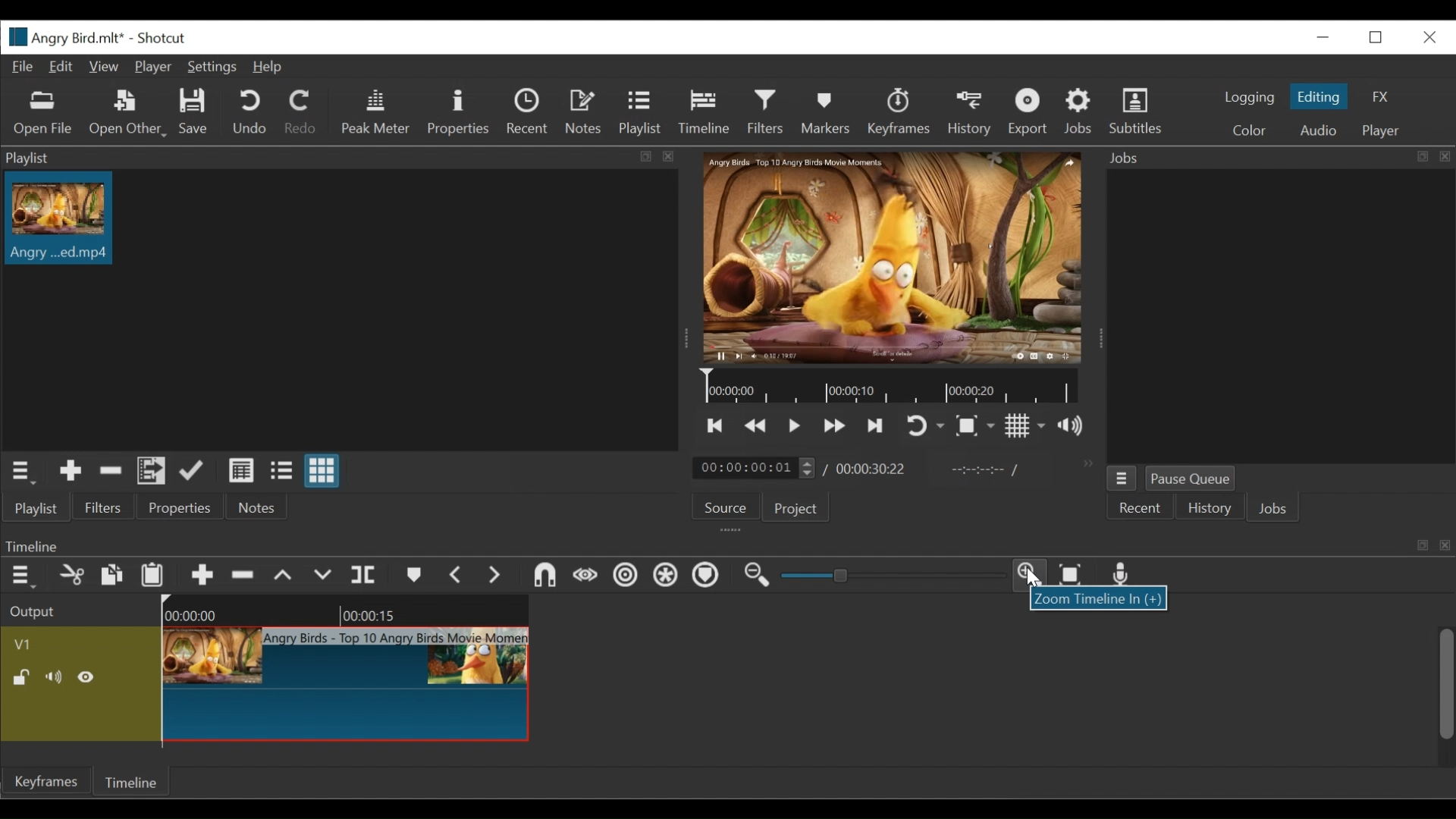 The width and height of the screenshot is (1456, 819). I want to click on Copy, so click(111, 574).